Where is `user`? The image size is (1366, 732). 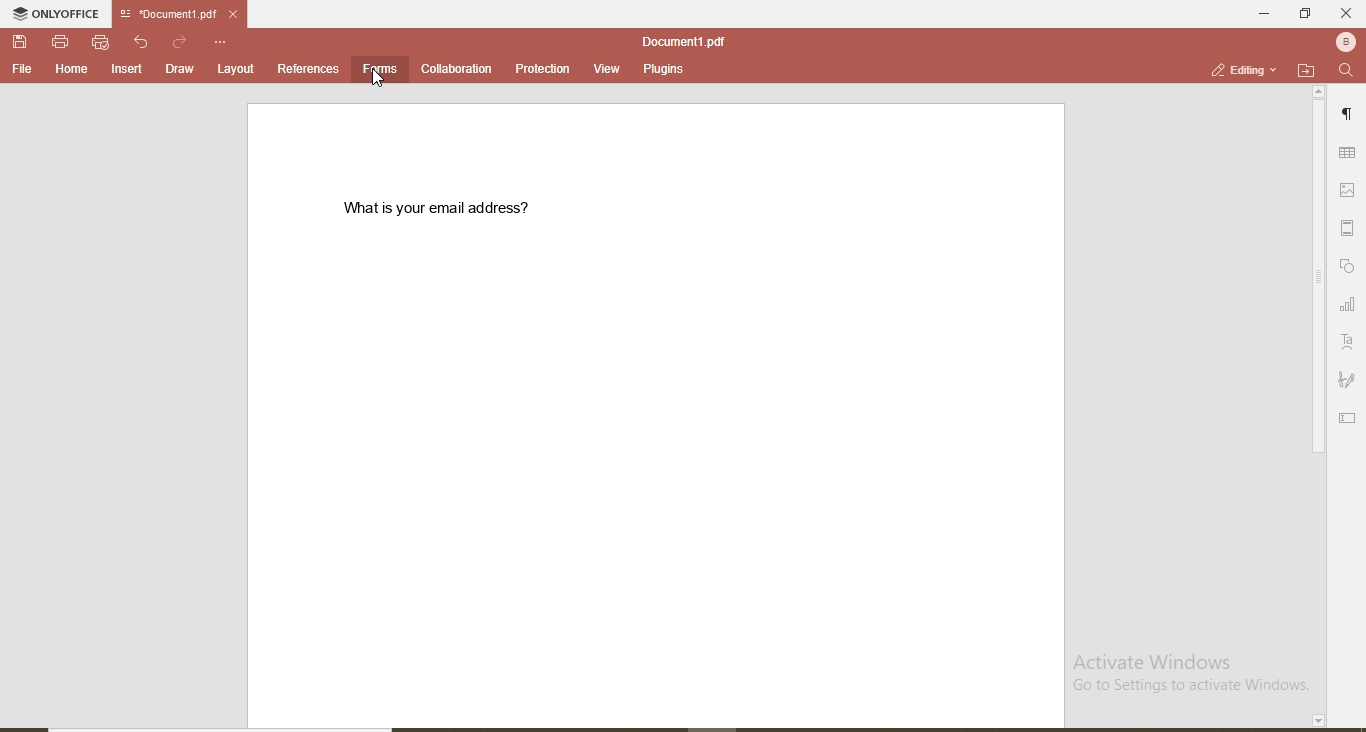
user is located at coordinates (1344, 41).